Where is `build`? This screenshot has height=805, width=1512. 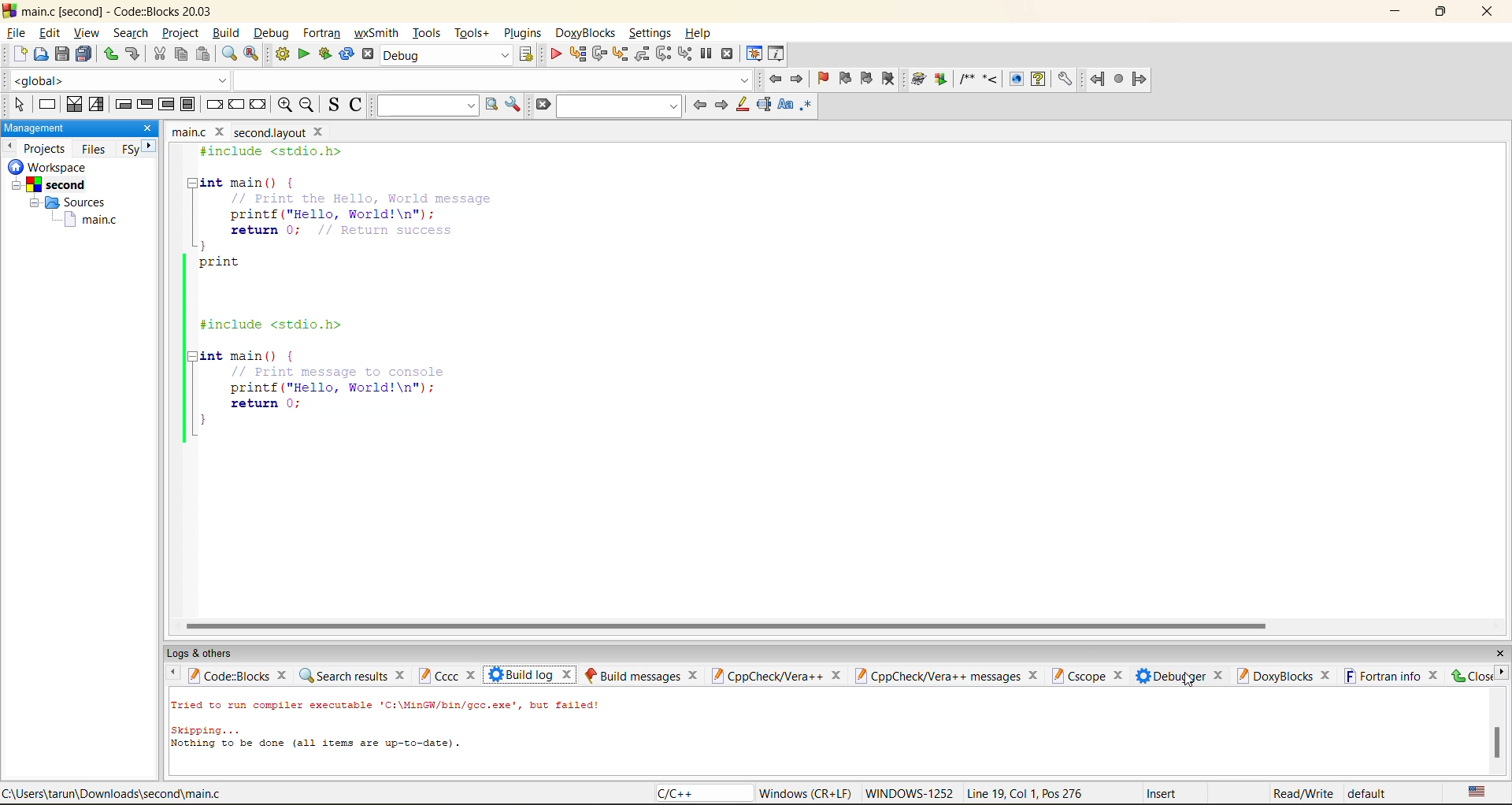
build is located at coordinates (226, 35).